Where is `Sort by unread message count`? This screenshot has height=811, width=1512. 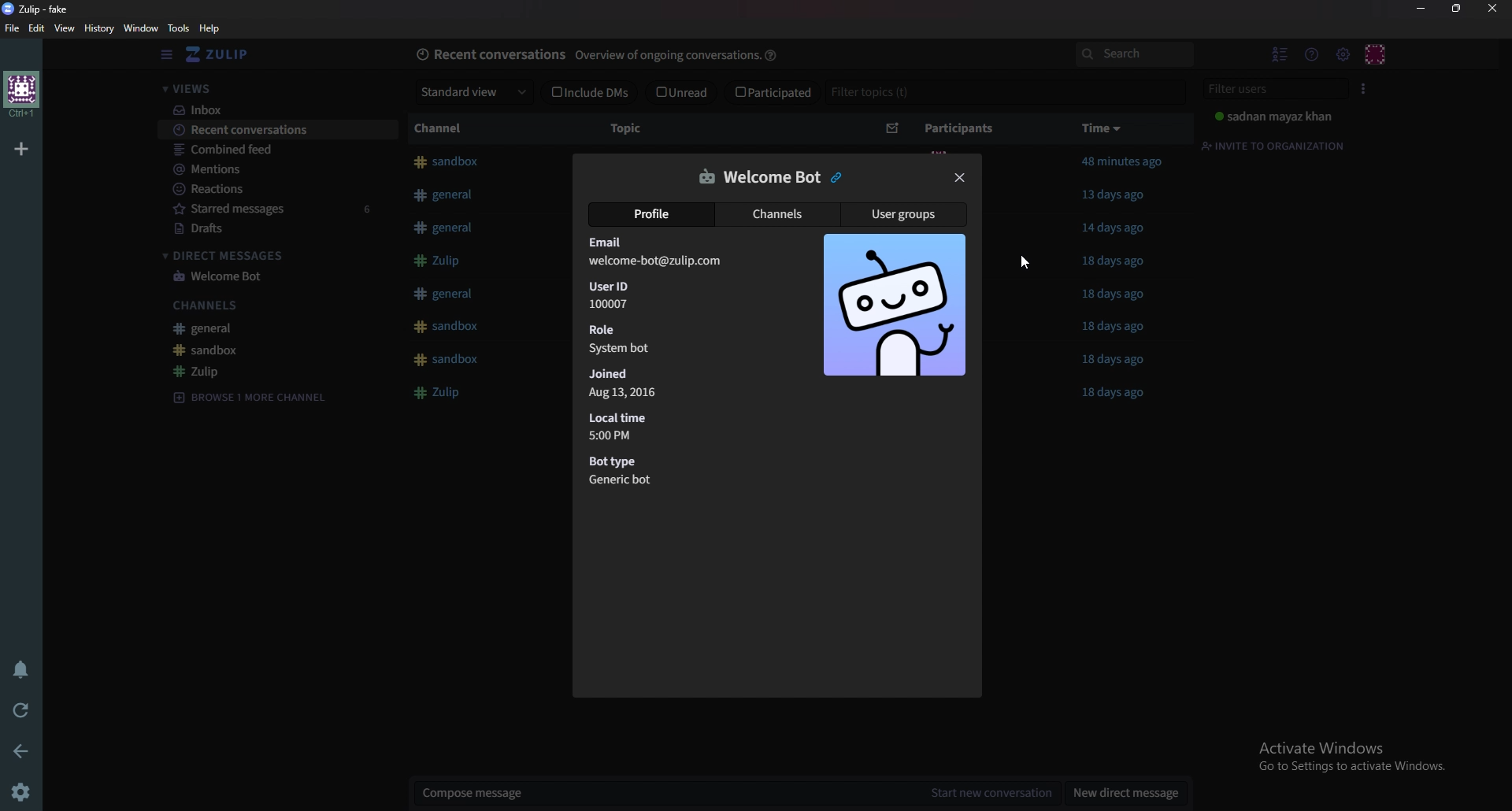
Sort by unread message count is located at coordinates (893, 129).